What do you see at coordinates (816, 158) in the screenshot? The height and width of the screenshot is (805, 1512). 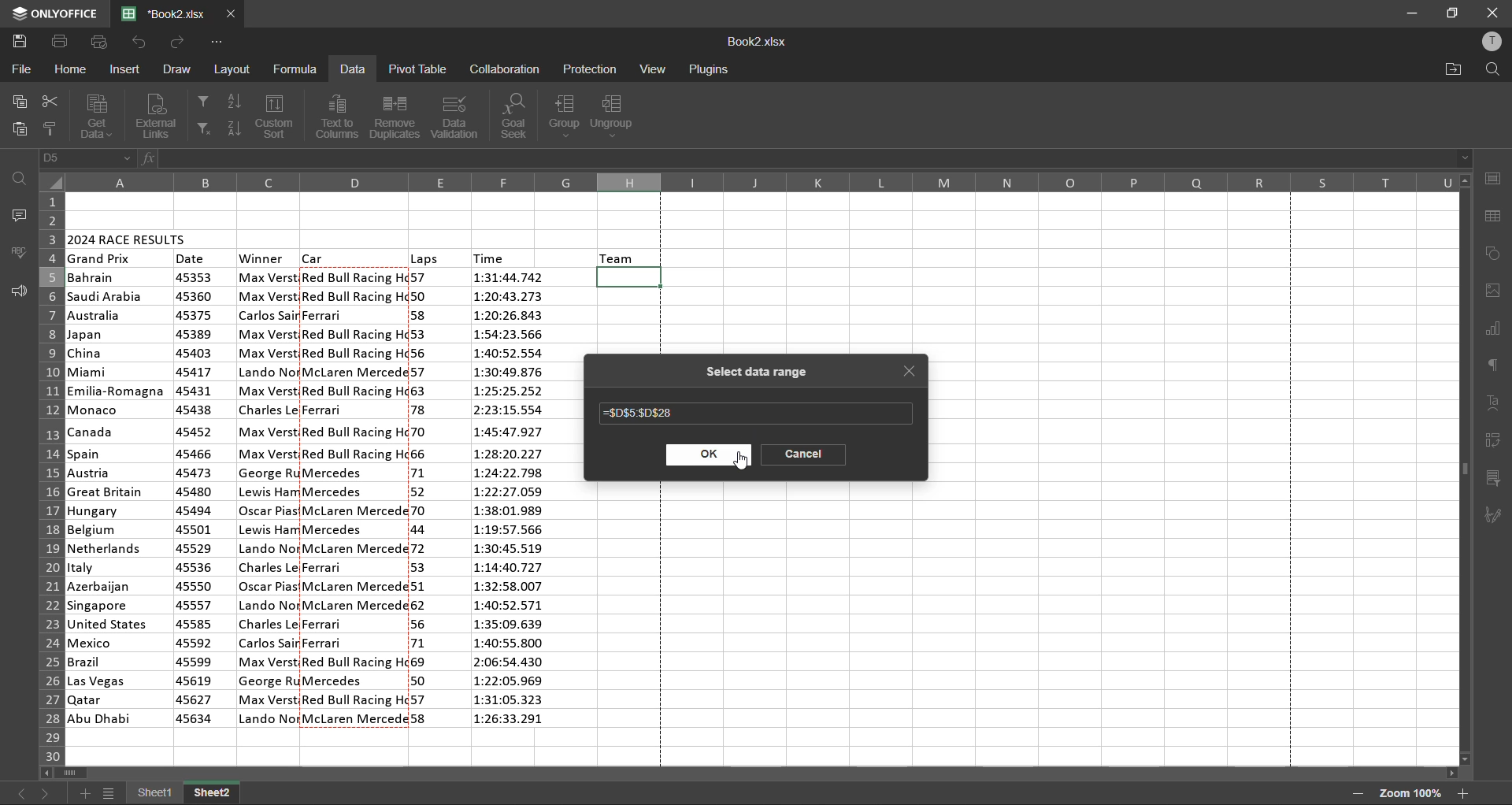 I see `formula bar` at bounding box center [816, 158].